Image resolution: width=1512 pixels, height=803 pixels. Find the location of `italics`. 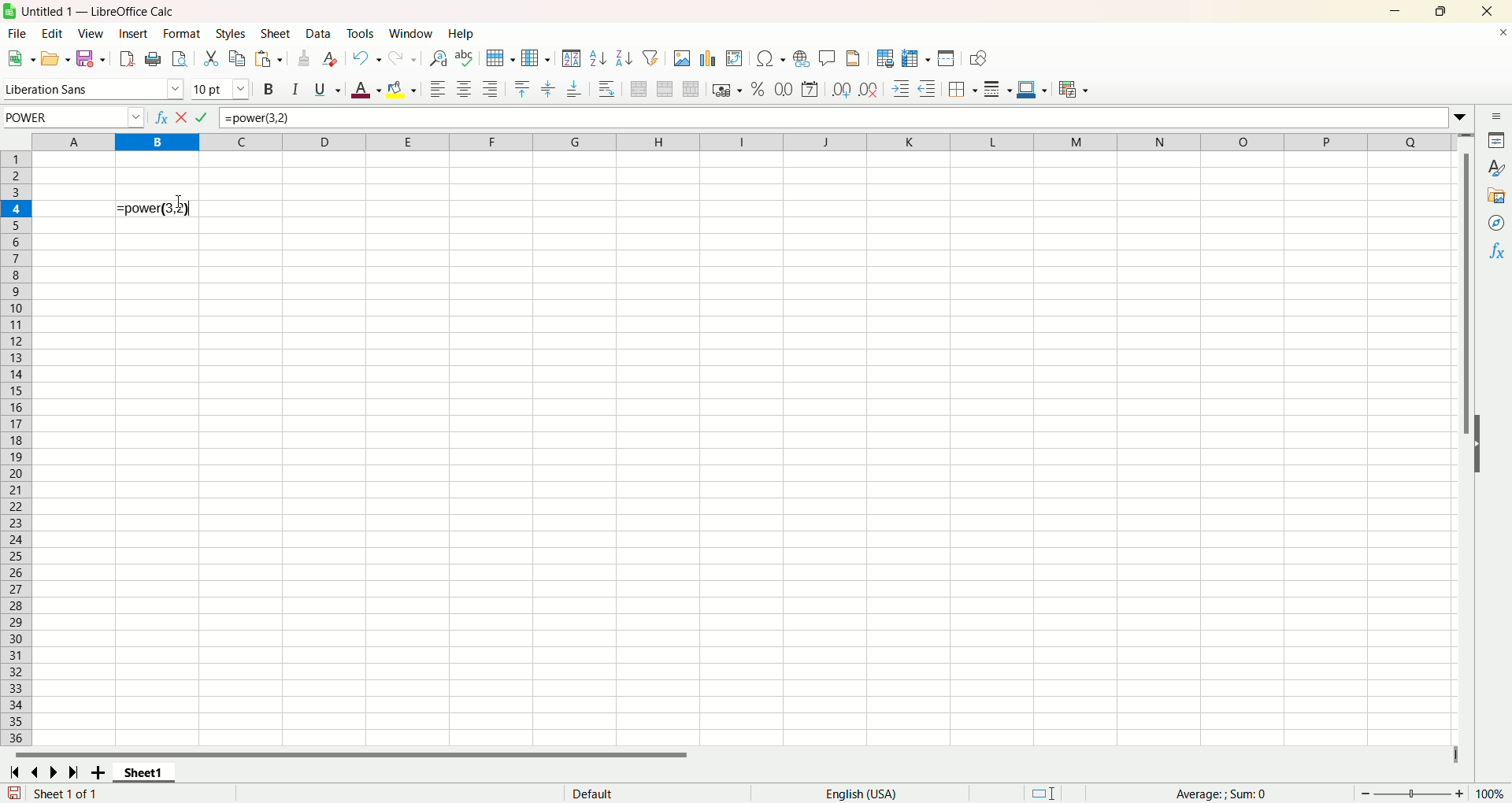

italics is located at coordinates (292, 90).